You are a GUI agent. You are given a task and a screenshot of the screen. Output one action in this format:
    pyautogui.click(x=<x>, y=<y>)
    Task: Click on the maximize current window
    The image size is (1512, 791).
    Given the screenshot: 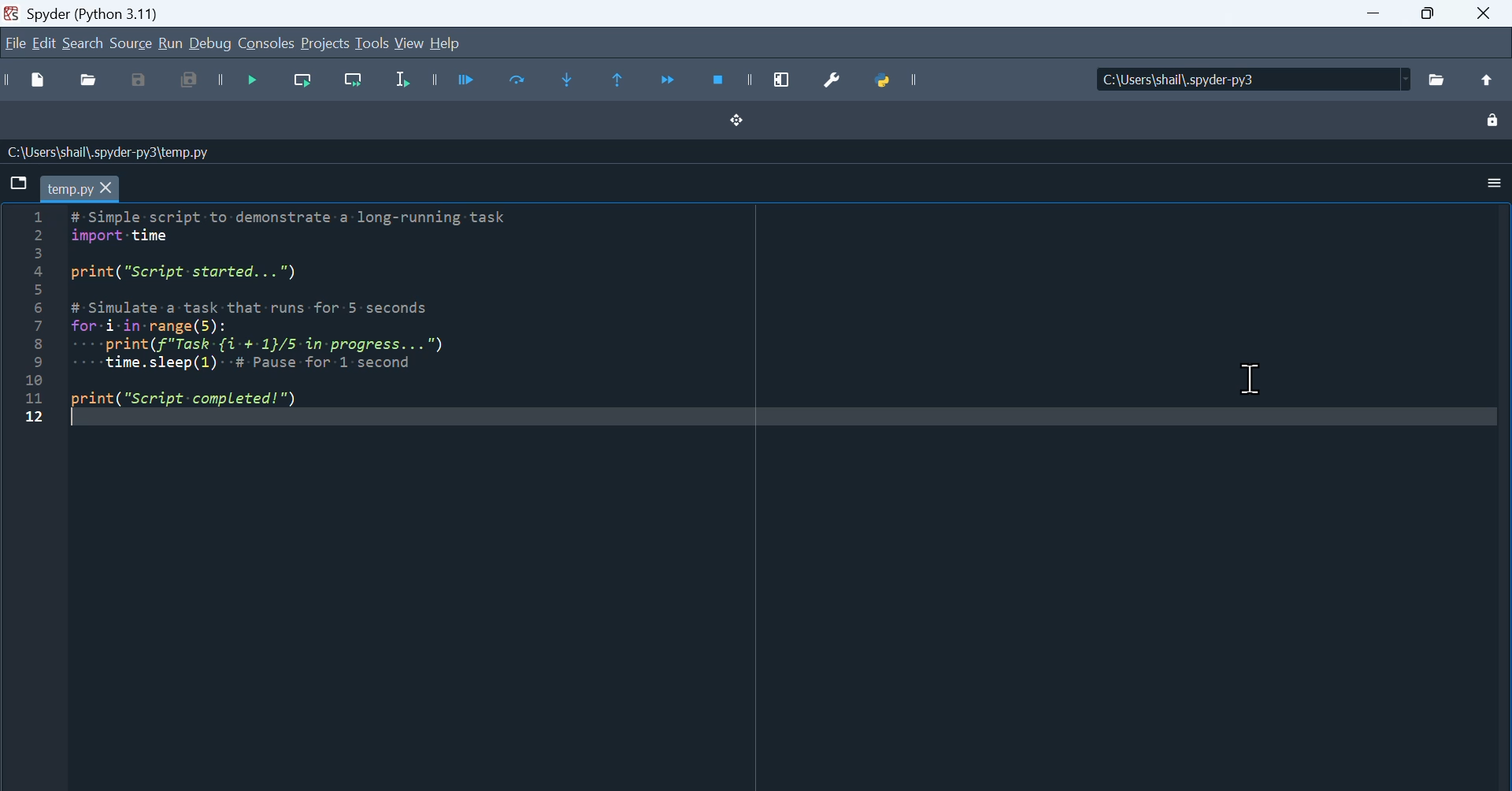 What is the action you would take?
    pyautogui.click(x=782, y=82)
    